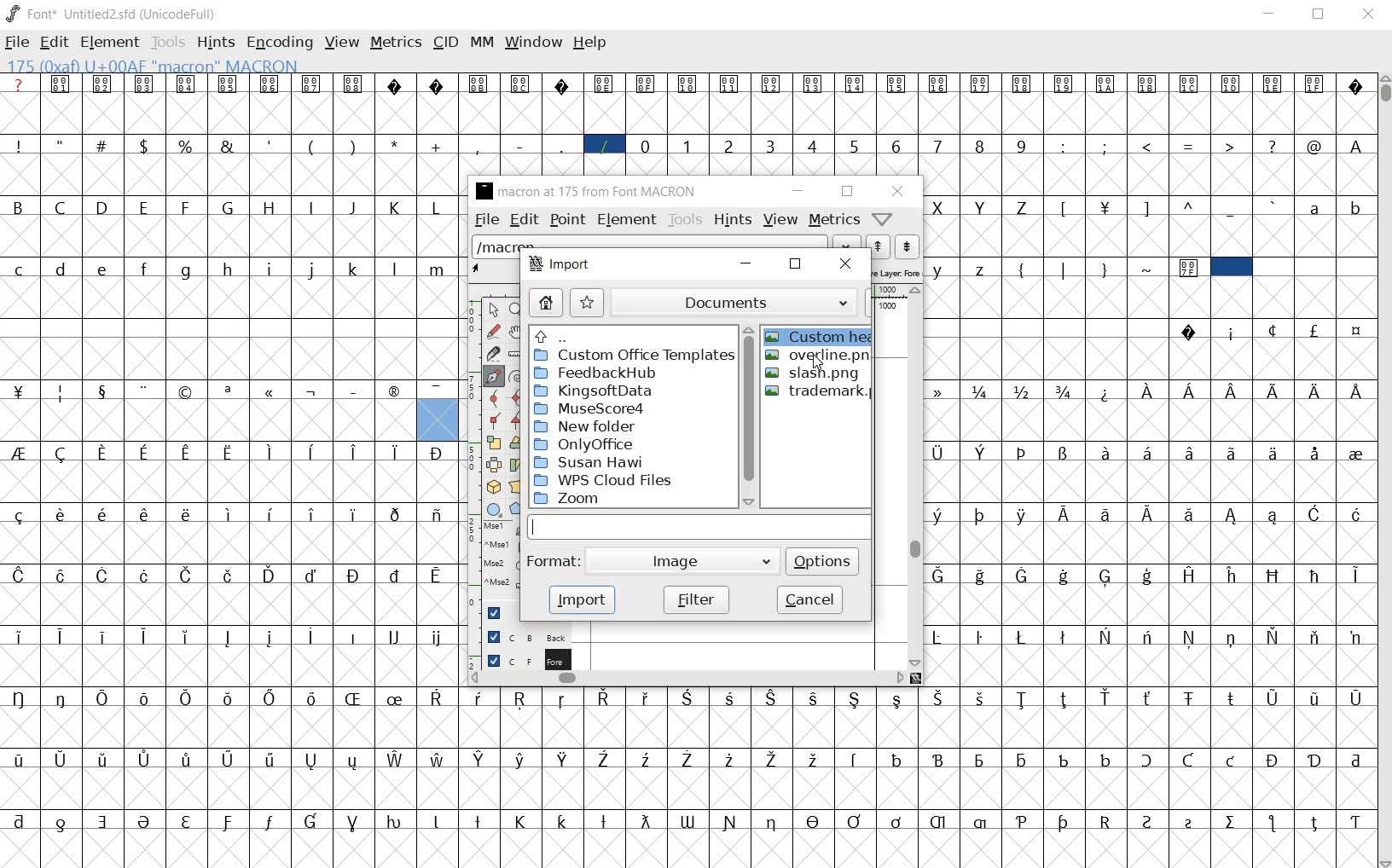 This screenshot has width=1392, height=868. What do you see at coordinates (397, 575) in the screenshot?
I see `Symbol` at bounding box center [397, 575].